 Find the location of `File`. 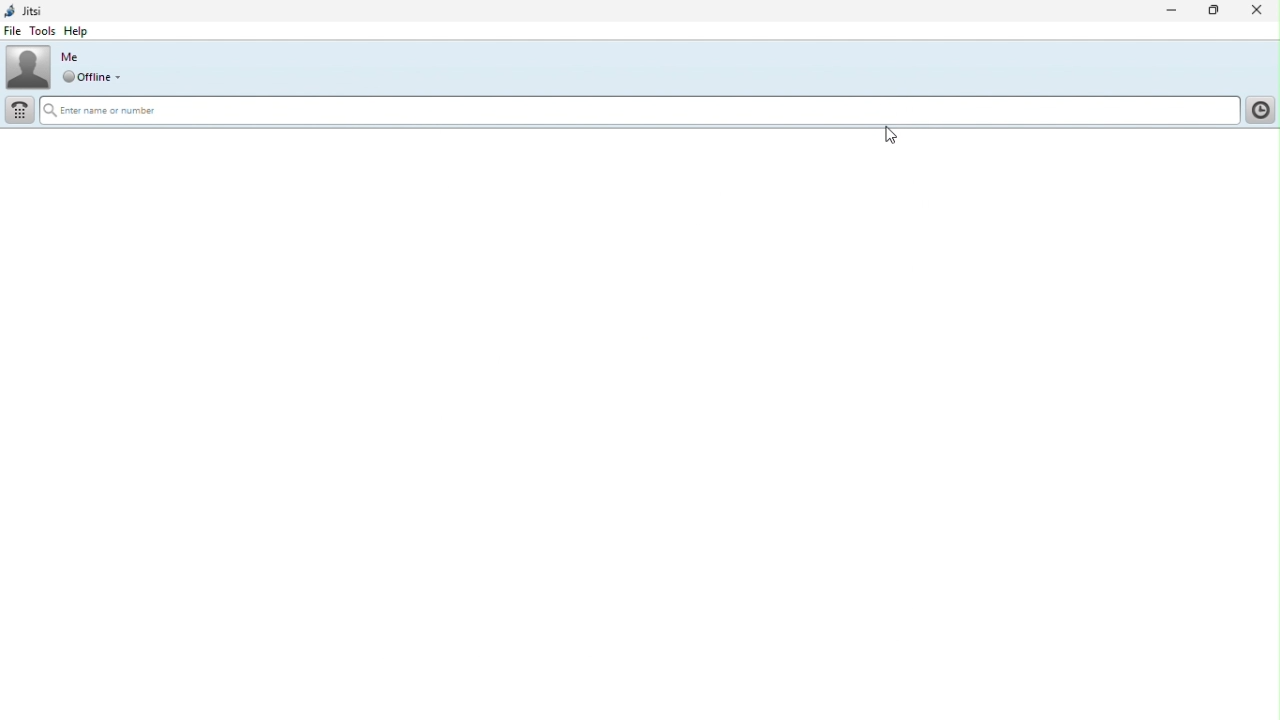

File is located at coordinates (12, 31).